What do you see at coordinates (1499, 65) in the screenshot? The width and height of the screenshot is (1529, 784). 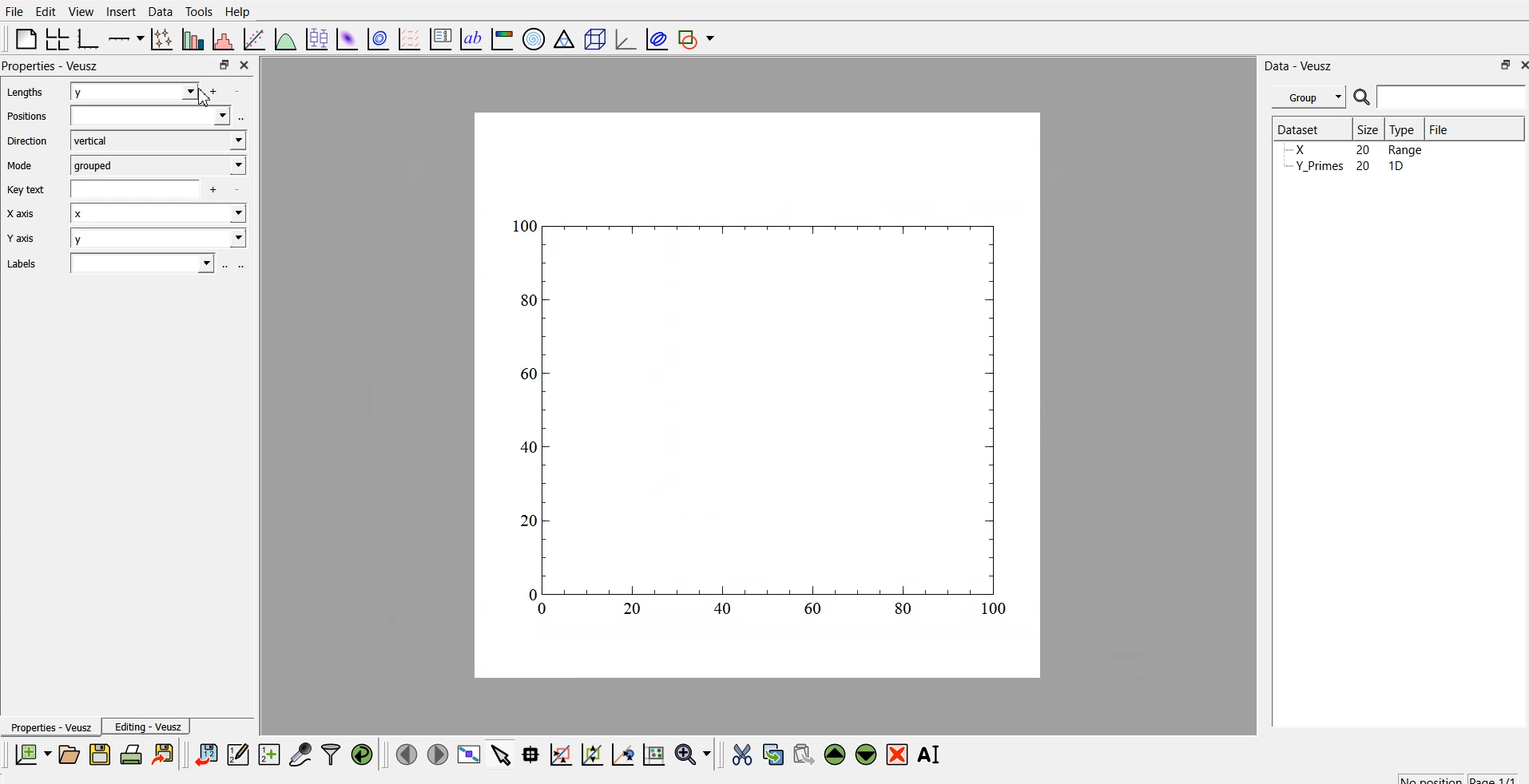 I see `maximize` at bounding box center [1499, 65].